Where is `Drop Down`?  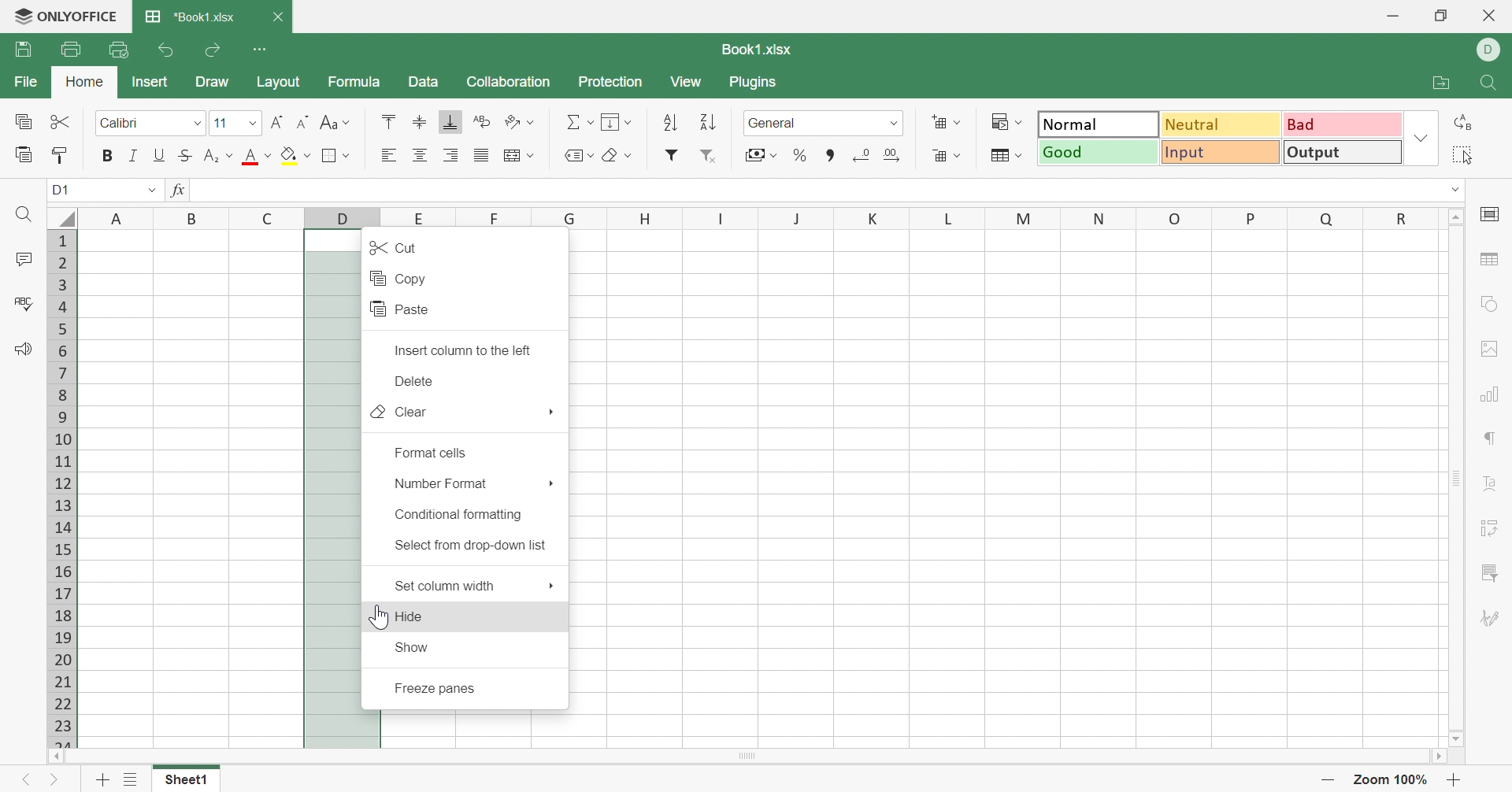
Drop Down is located at coordinates (589, 123).